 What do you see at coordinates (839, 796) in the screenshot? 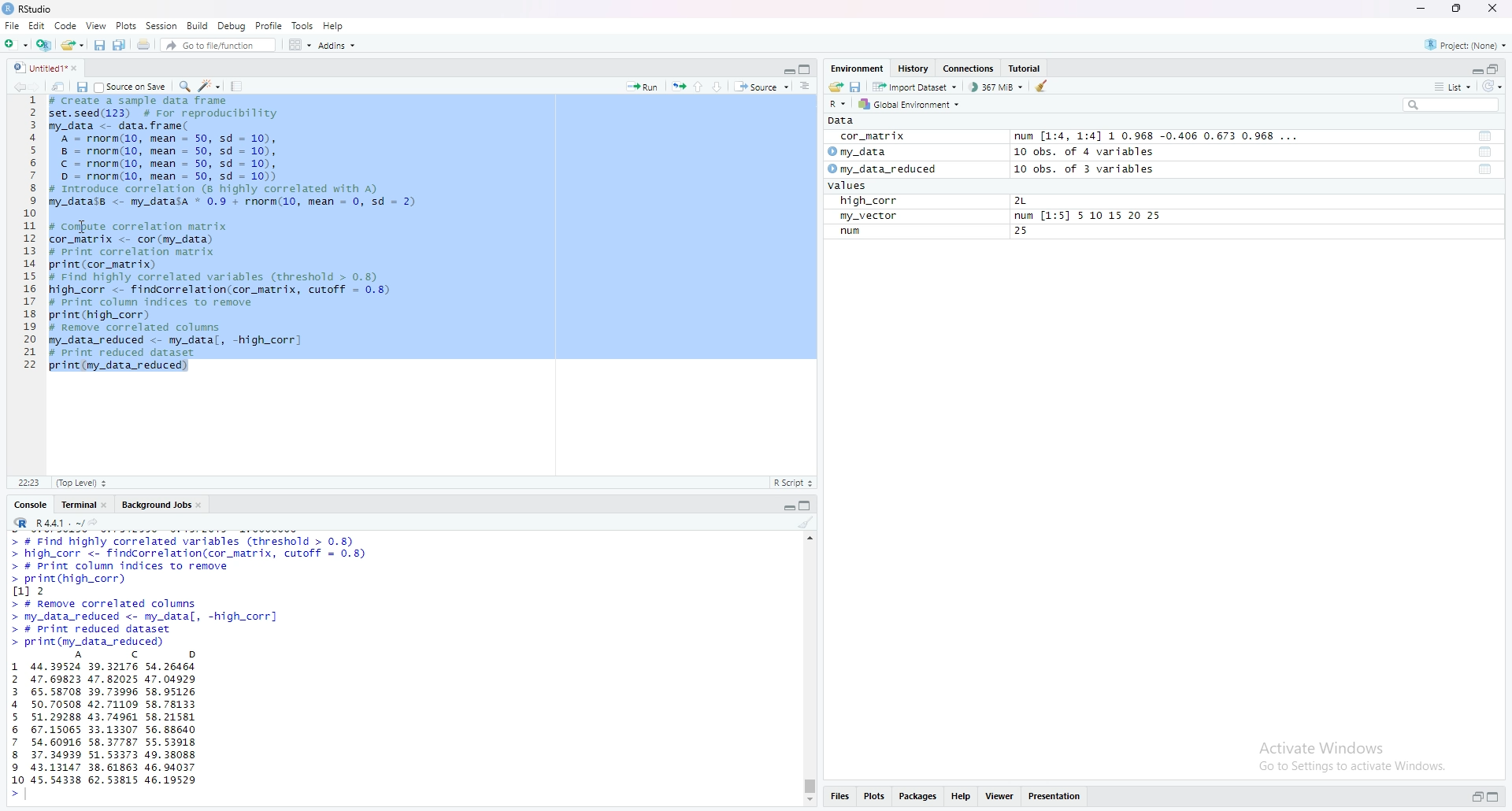
I see `Files` at bounding box center [839, 796].